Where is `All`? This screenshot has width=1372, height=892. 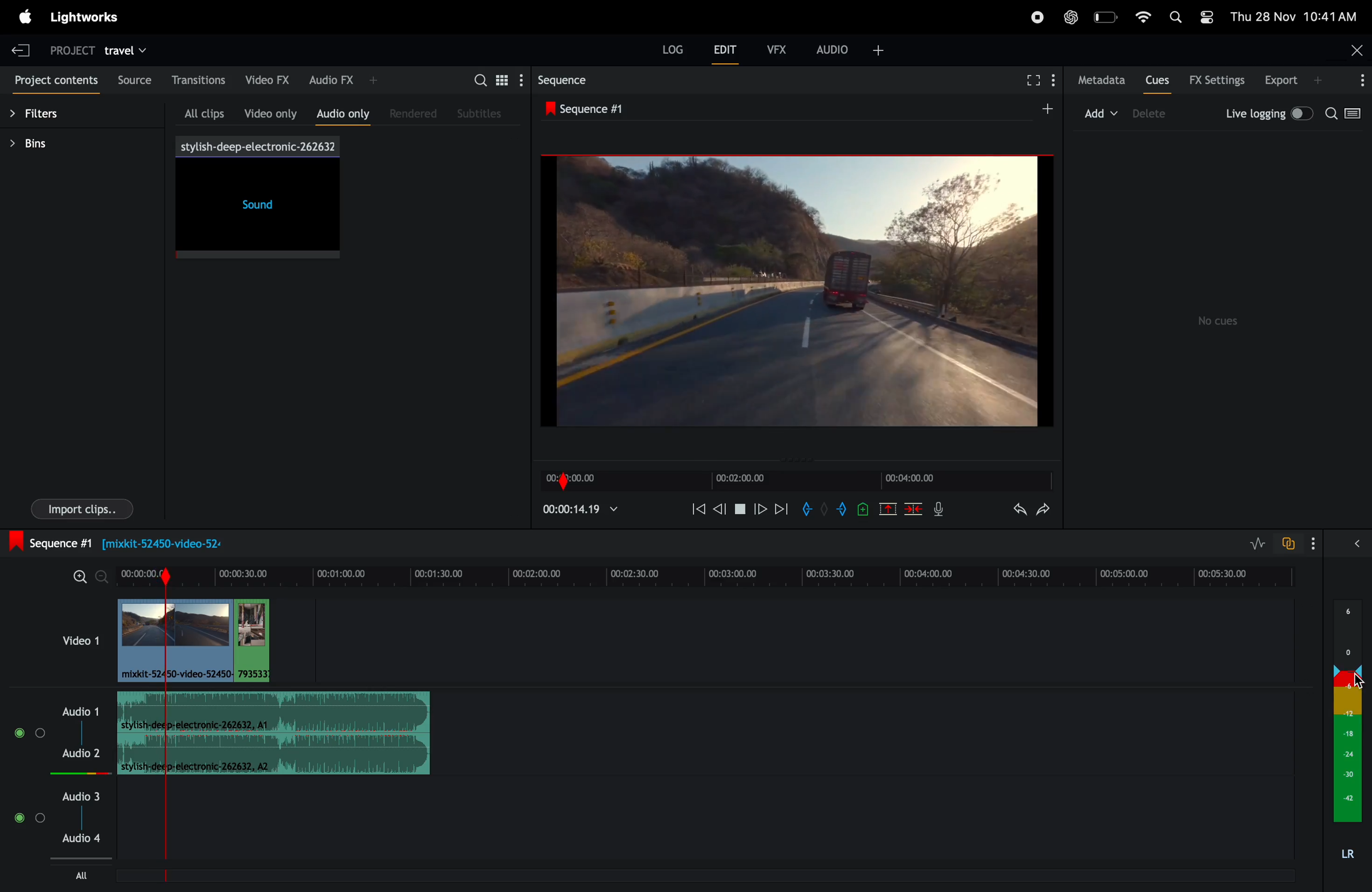
All is located at coordinates (80, 875).